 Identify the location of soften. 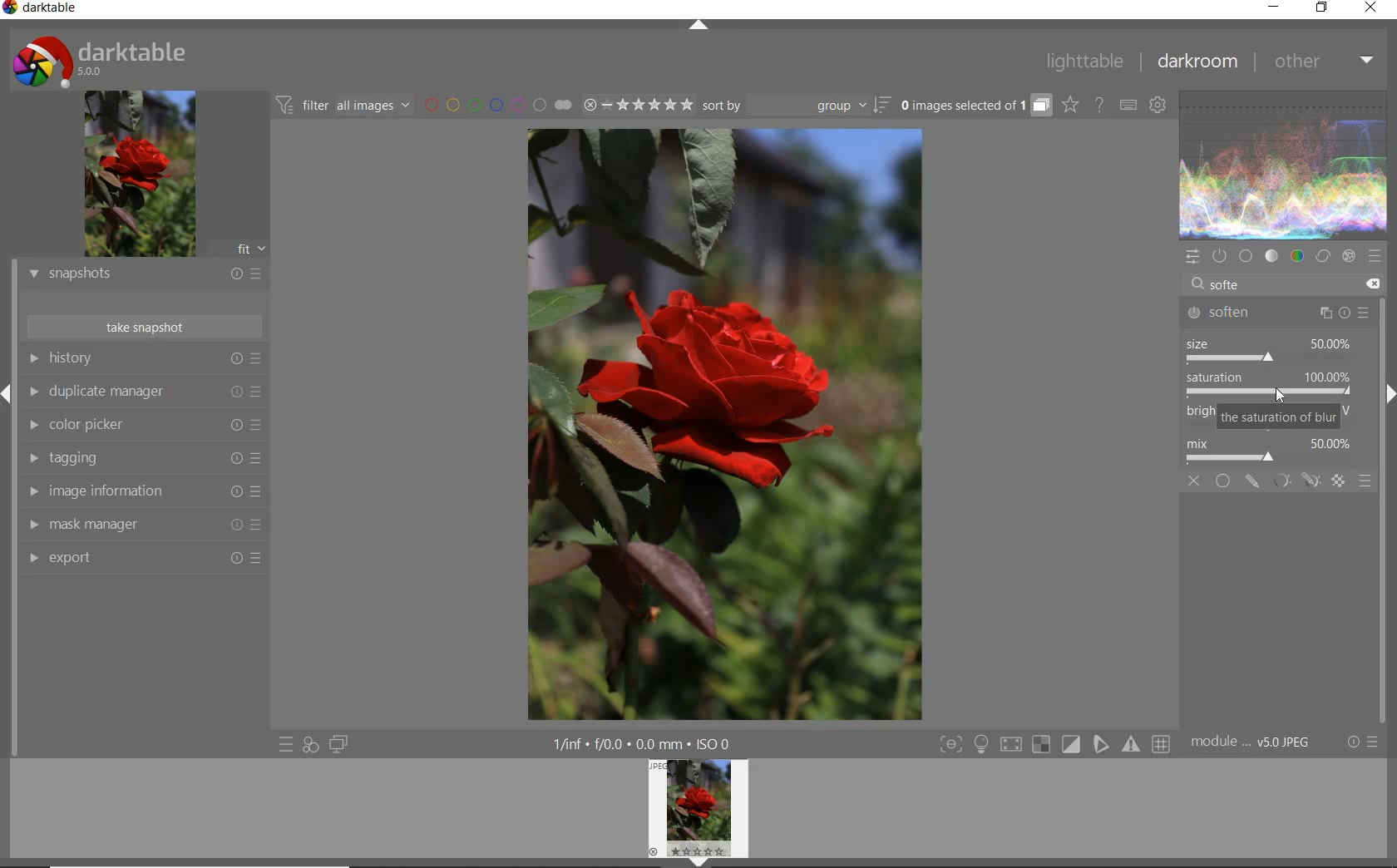
(1281, 312).